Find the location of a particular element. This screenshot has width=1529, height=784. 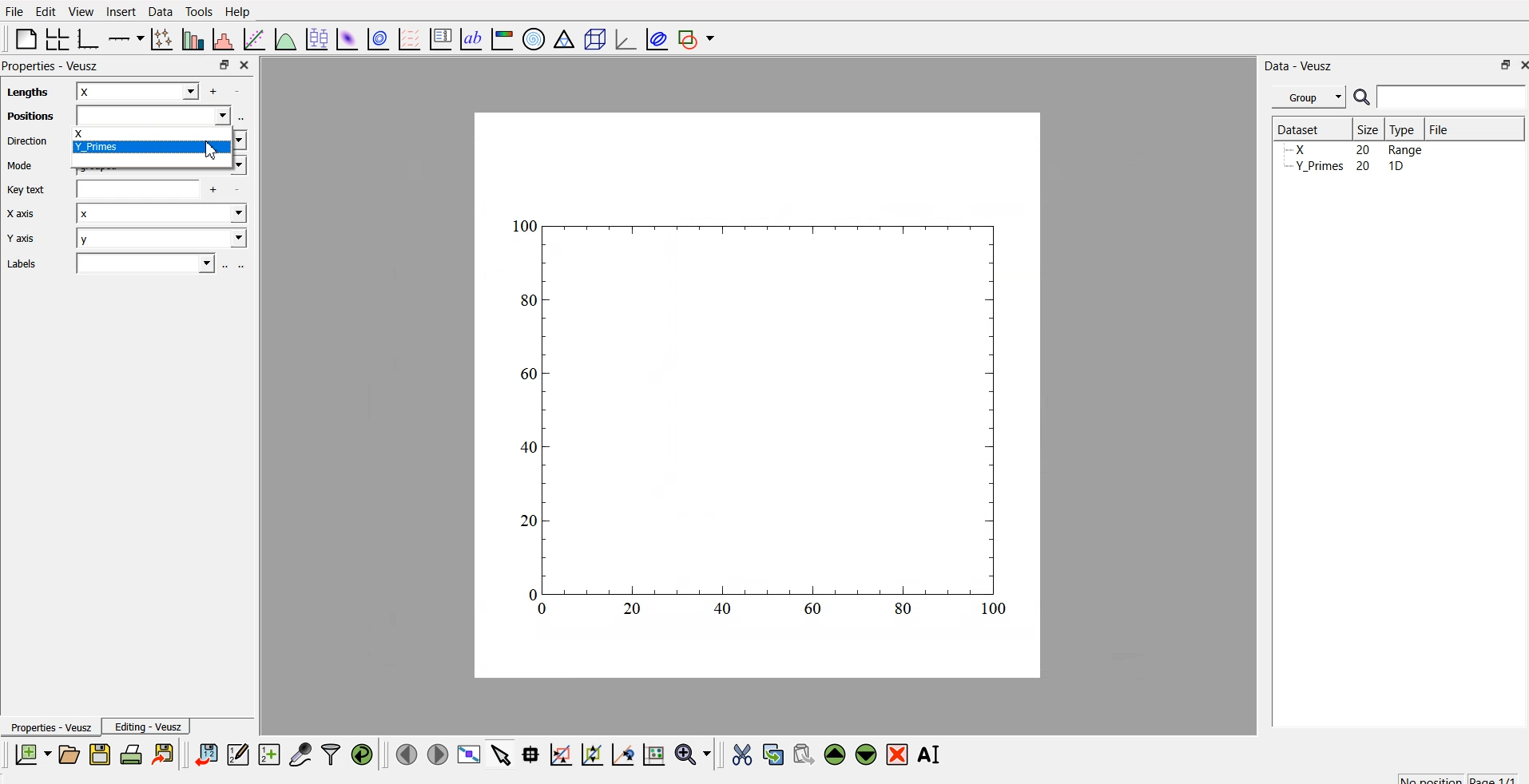

move to the next page is located at coordinates (436, 754).